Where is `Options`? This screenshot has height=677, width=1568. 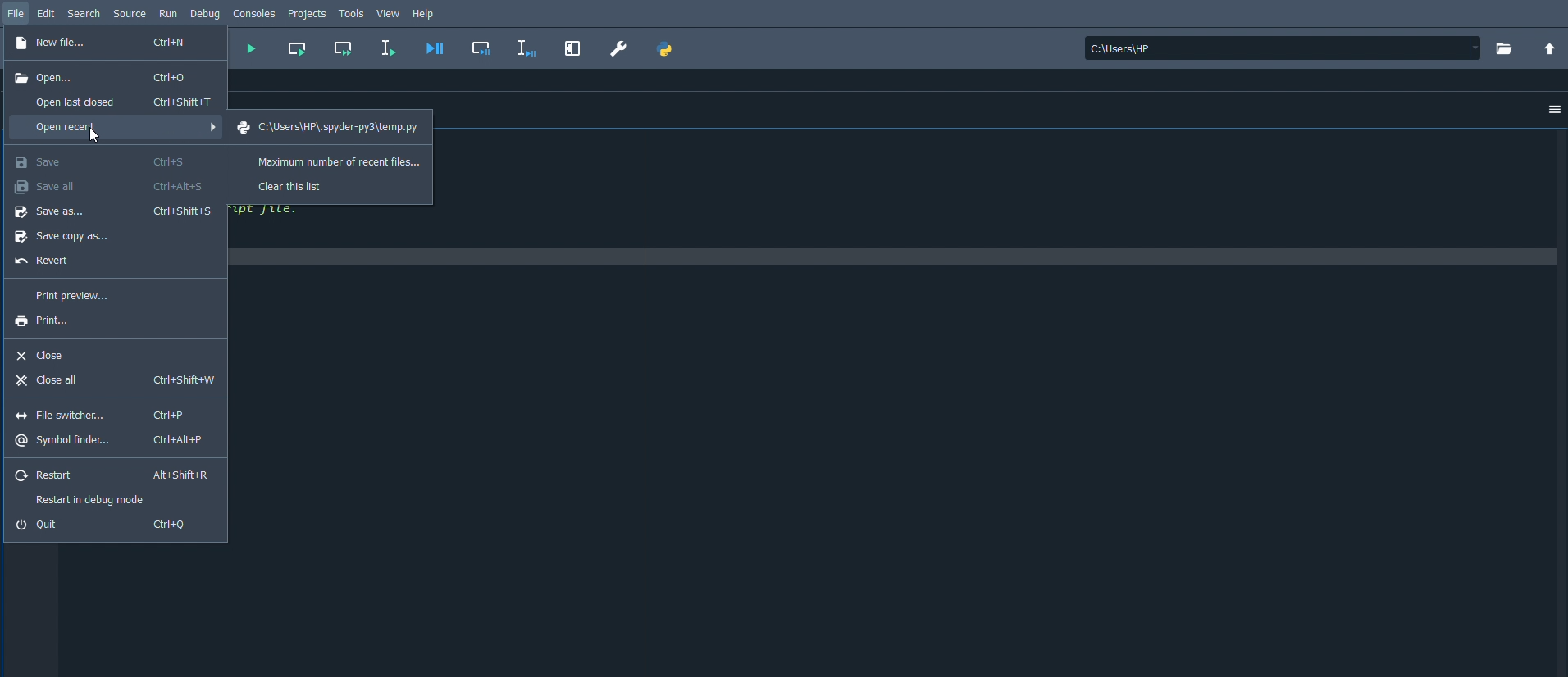
Options is located at coordinates (1550, 111).